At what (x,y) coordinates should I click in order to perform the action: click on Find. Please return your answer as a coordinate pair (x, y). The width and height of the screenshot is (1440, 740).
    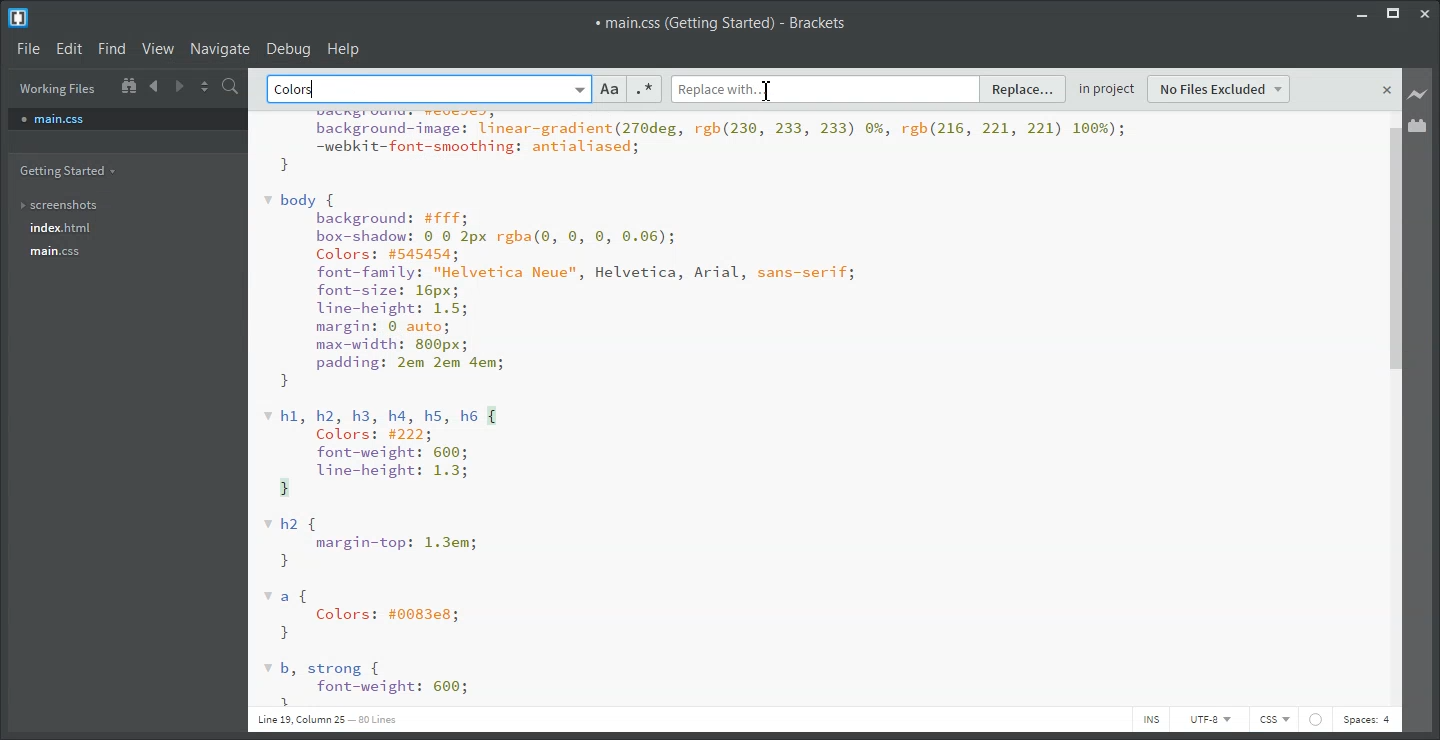
    Looking at the image, I should click on (111, 49).